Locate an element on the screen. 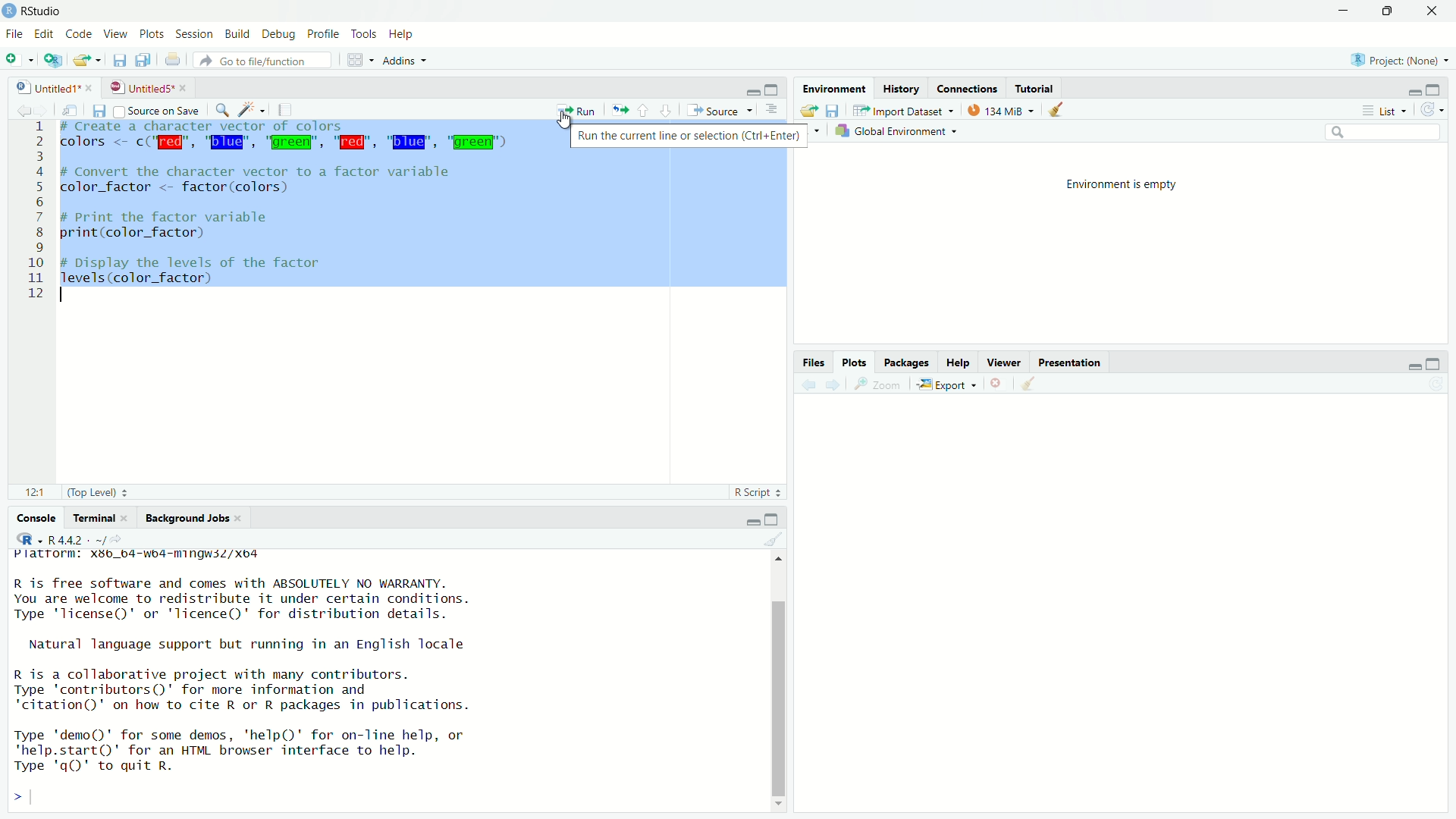  clear objects from workspace is located at coordinates (1053, 110).